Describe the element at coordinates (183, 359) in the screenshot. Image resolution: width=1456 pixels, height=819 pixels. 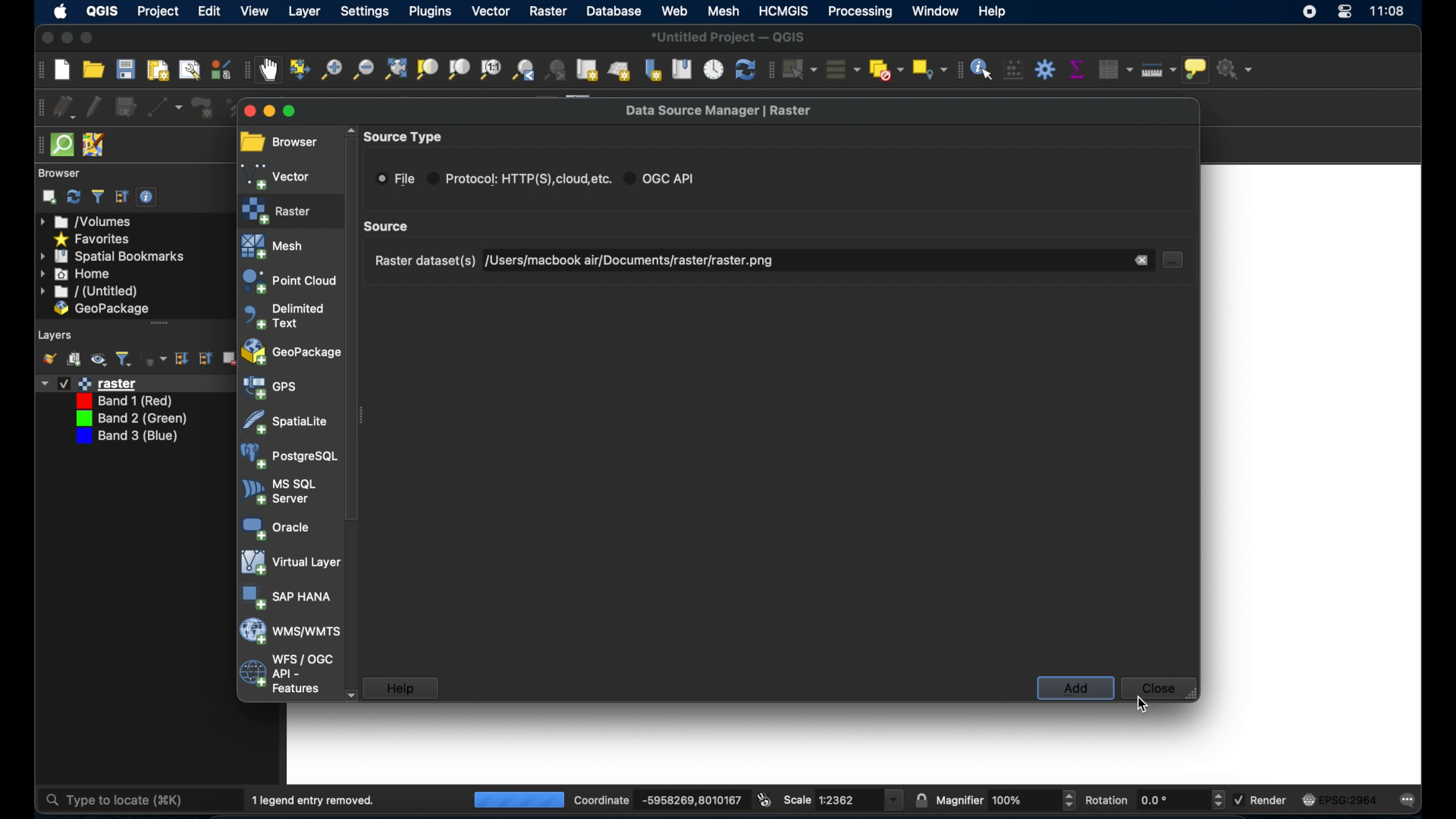
I see `expand all` at that location.